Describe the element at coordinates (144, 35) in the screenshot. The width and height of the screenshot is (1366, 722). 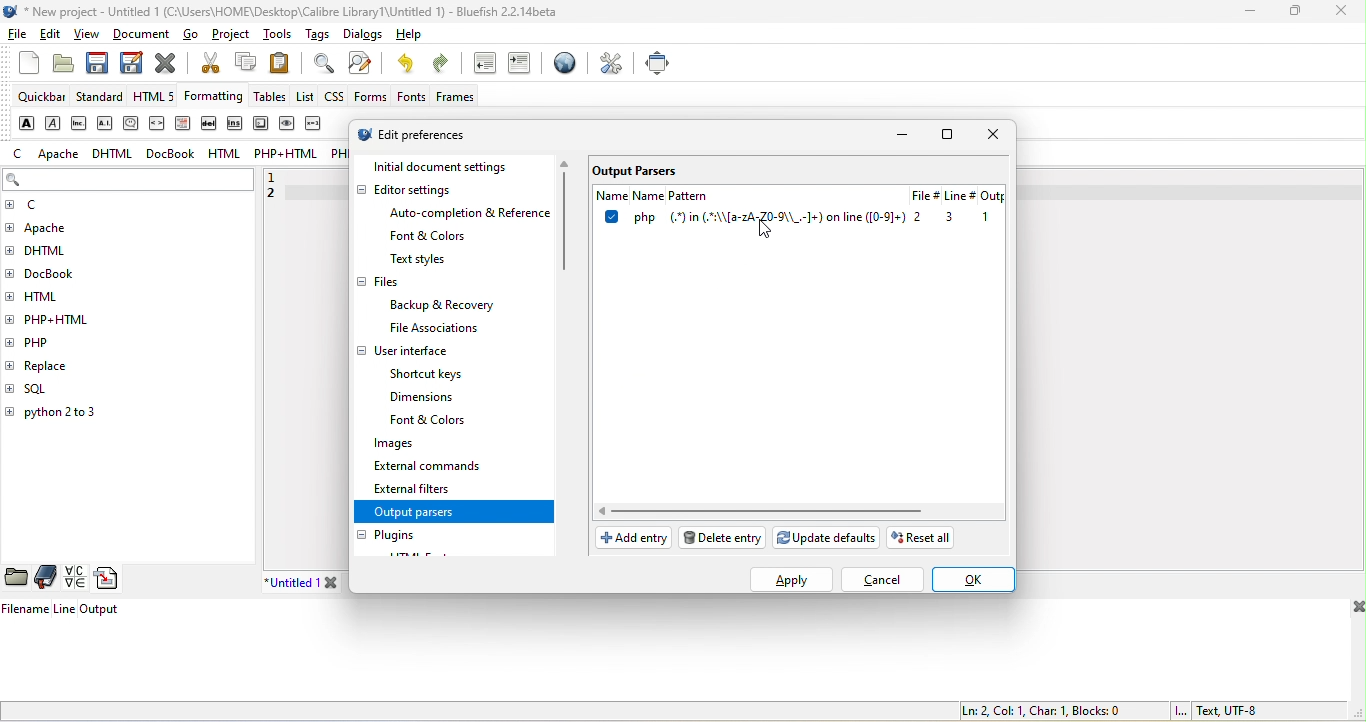
I see `document` at that location.